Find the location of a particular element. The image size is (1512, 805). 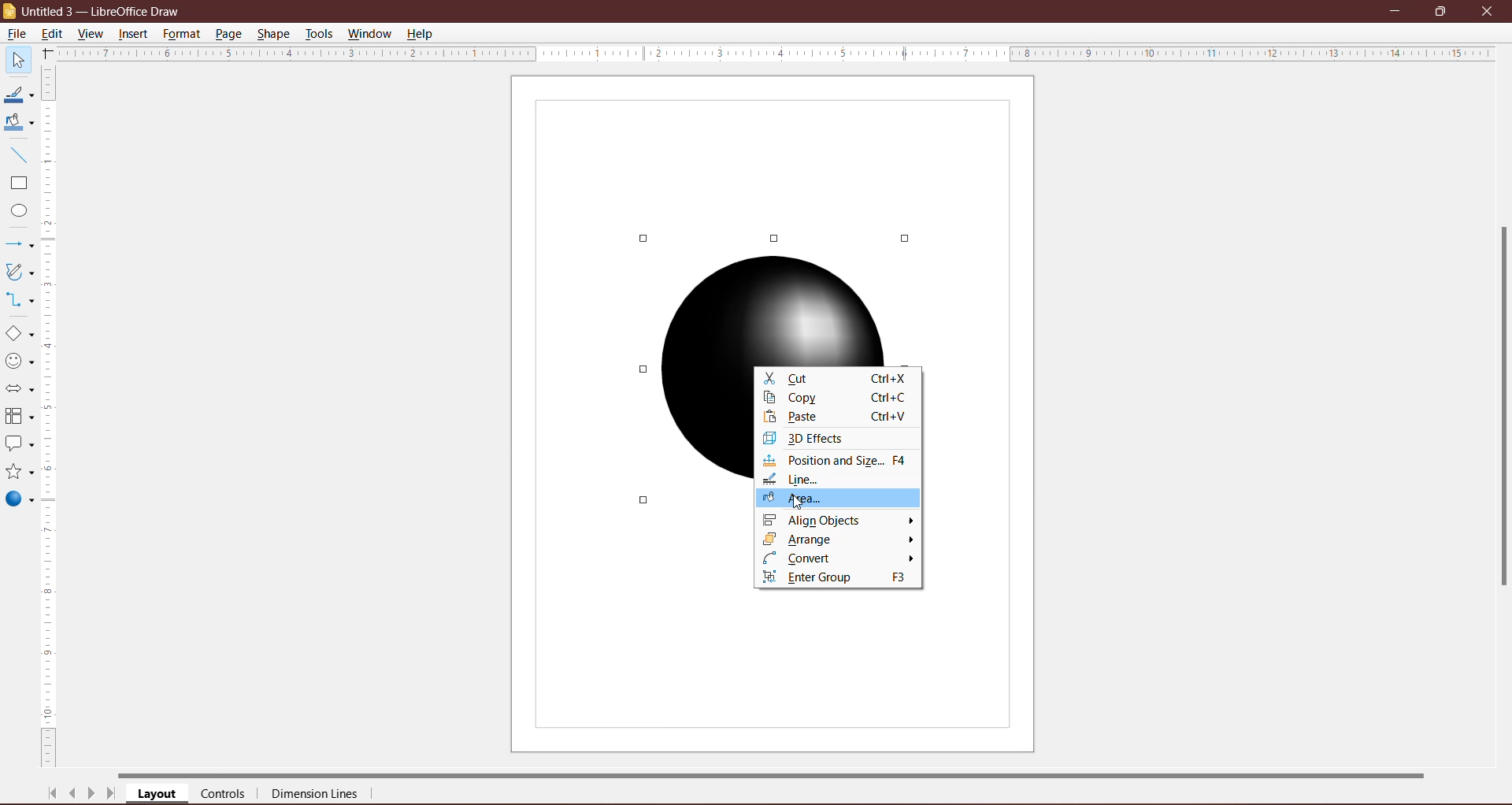

Curves and Polygons is located at coordinates (18, 271).